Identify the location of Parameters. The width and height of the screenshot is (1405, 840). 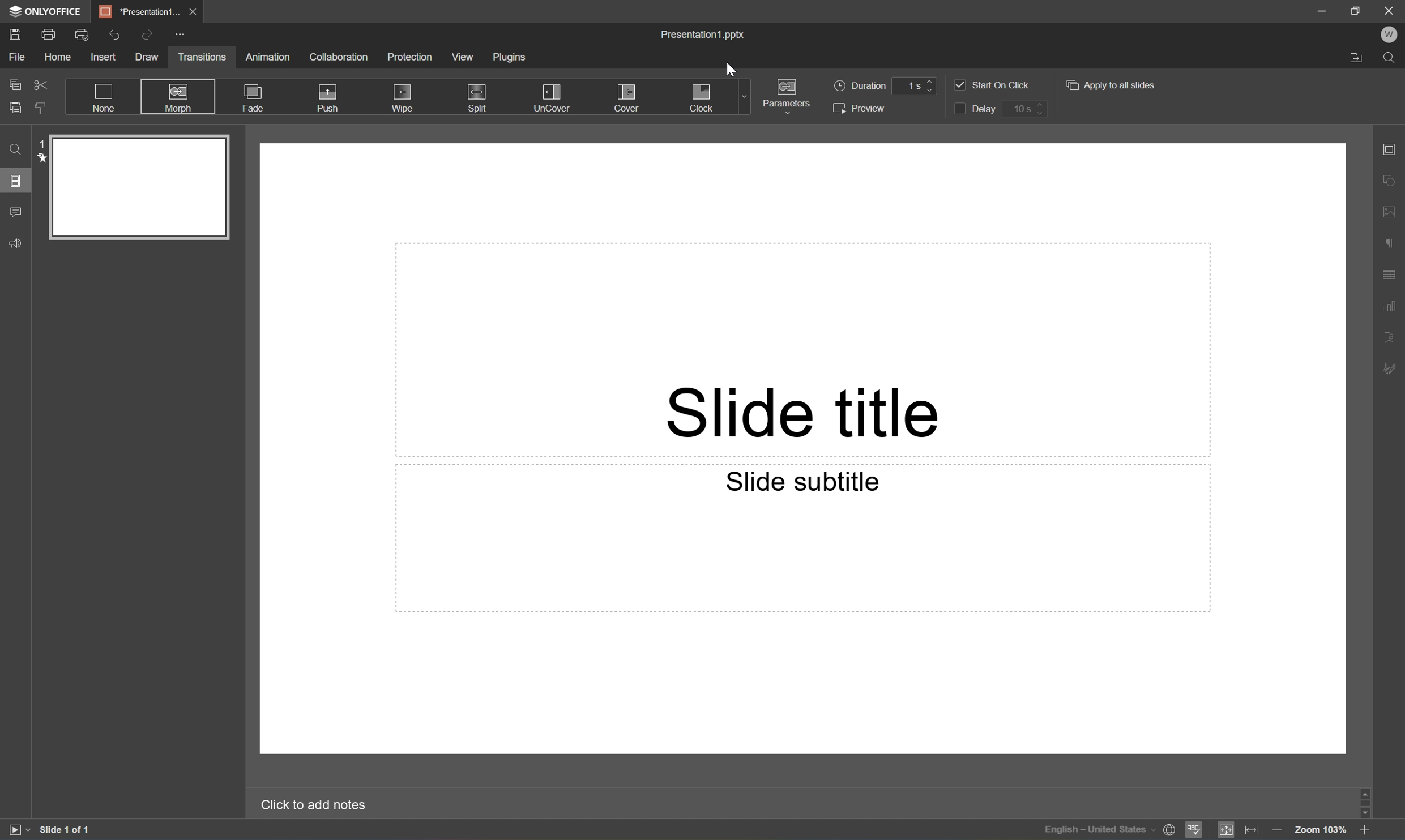
(787, 93).